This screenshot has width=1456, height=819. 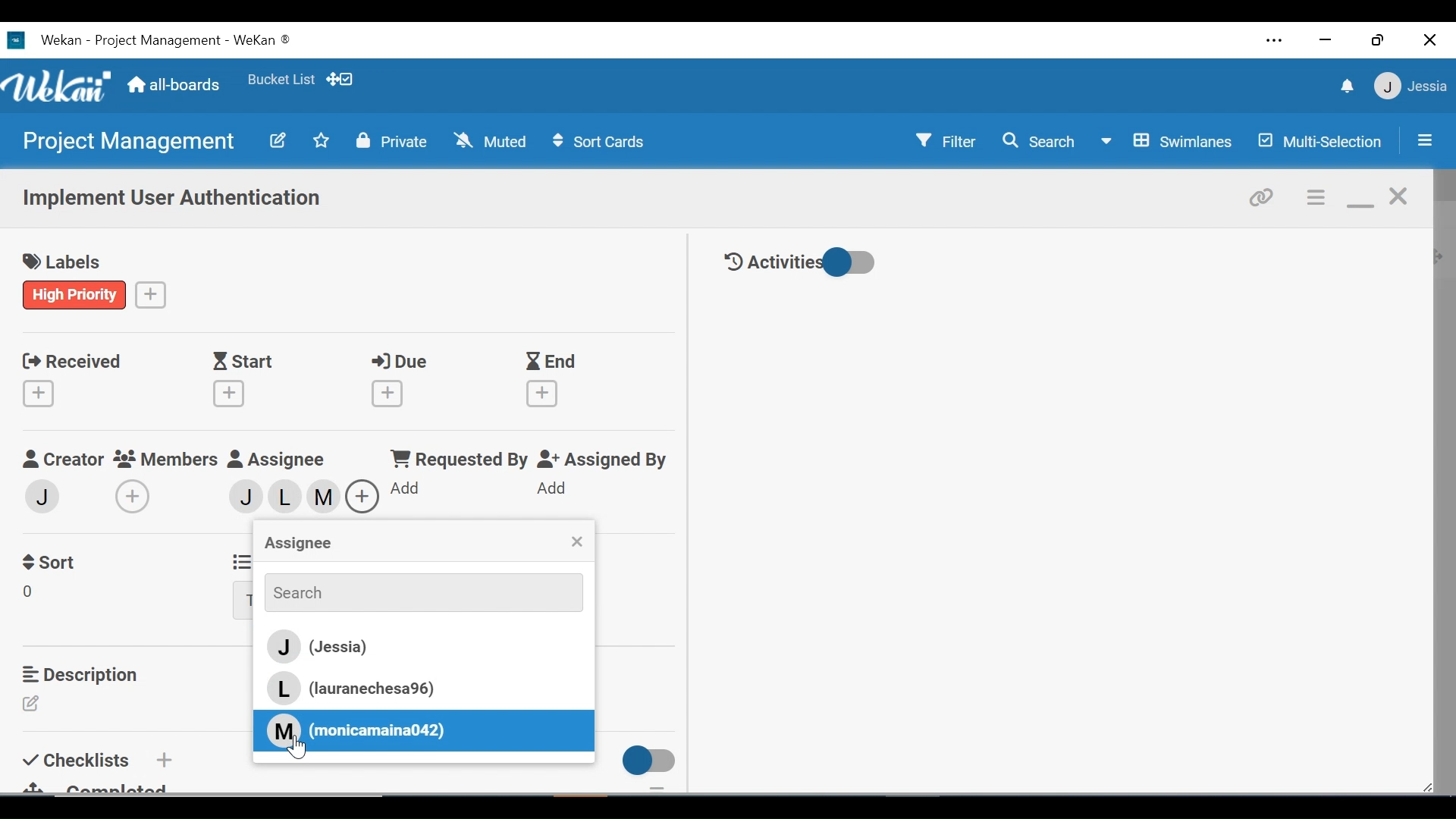 I want to click on createEnd Date, so click(x=545, y=394).